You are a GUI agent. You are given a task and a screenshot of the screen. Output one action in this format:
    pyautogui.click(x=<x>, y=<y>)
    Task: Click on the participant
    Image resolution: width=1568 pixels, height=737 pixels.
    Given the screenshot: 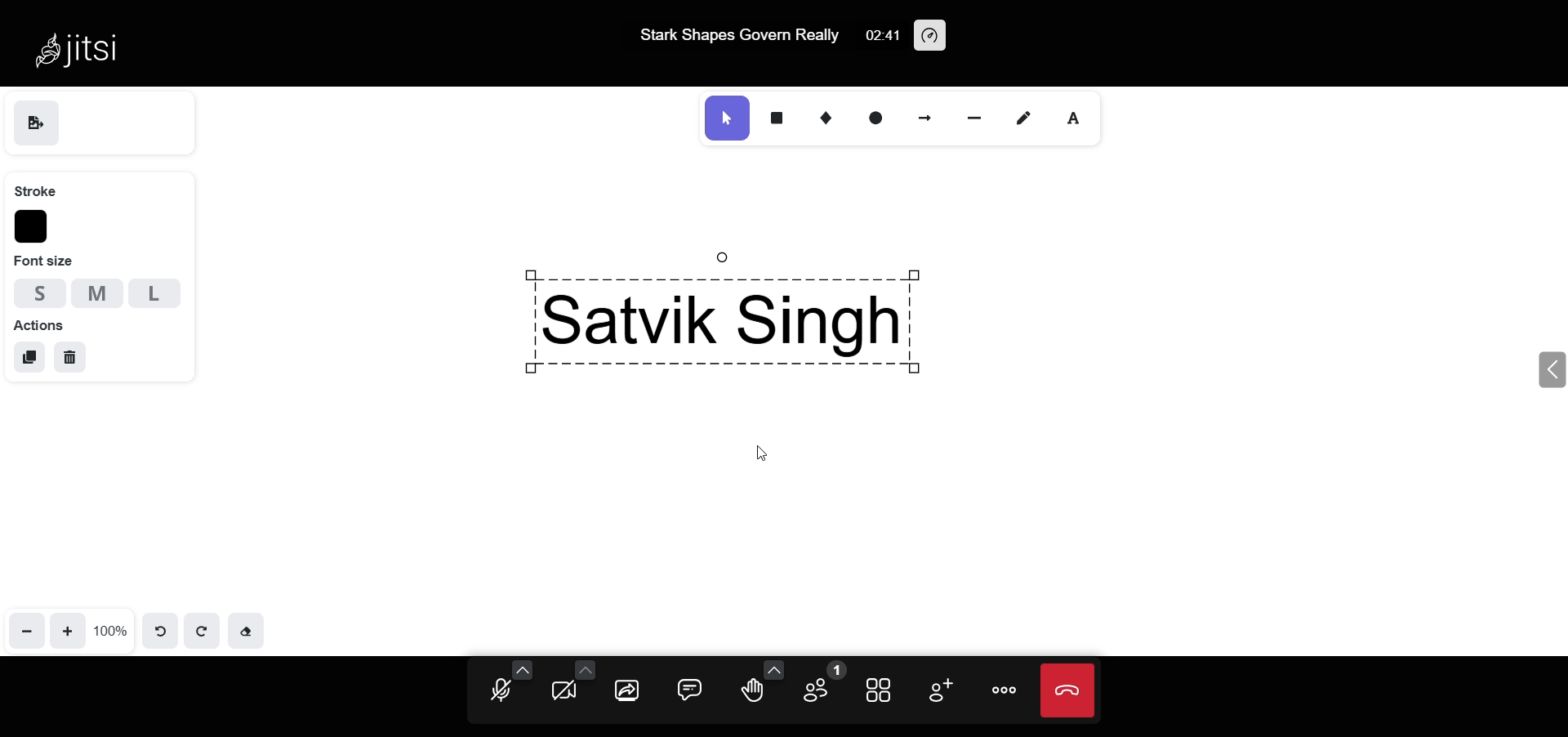 What is the action you would take?
    pyautogui.click(x=819, y=685)
    